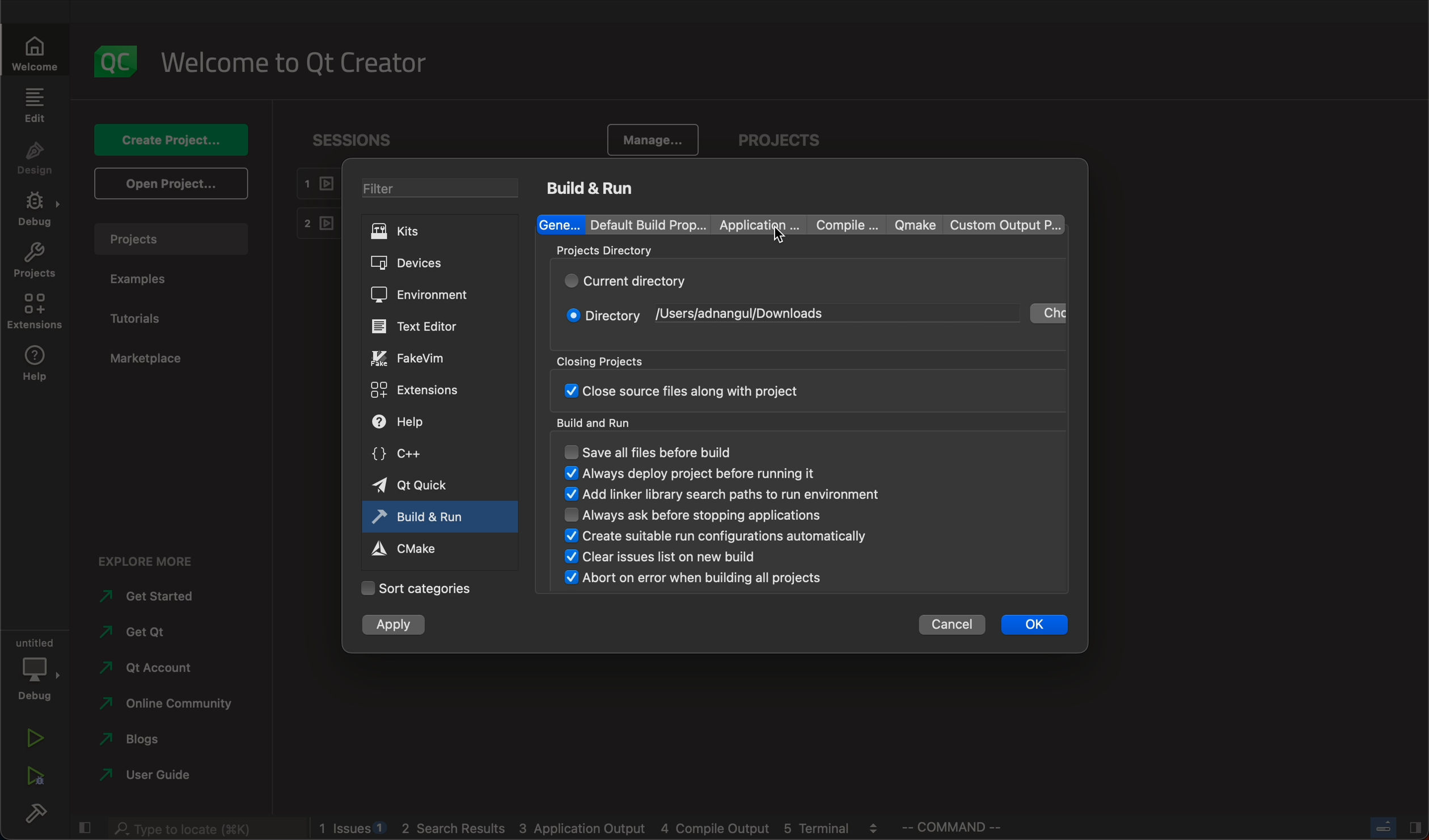  I want to click on apply, so click(392, 625).